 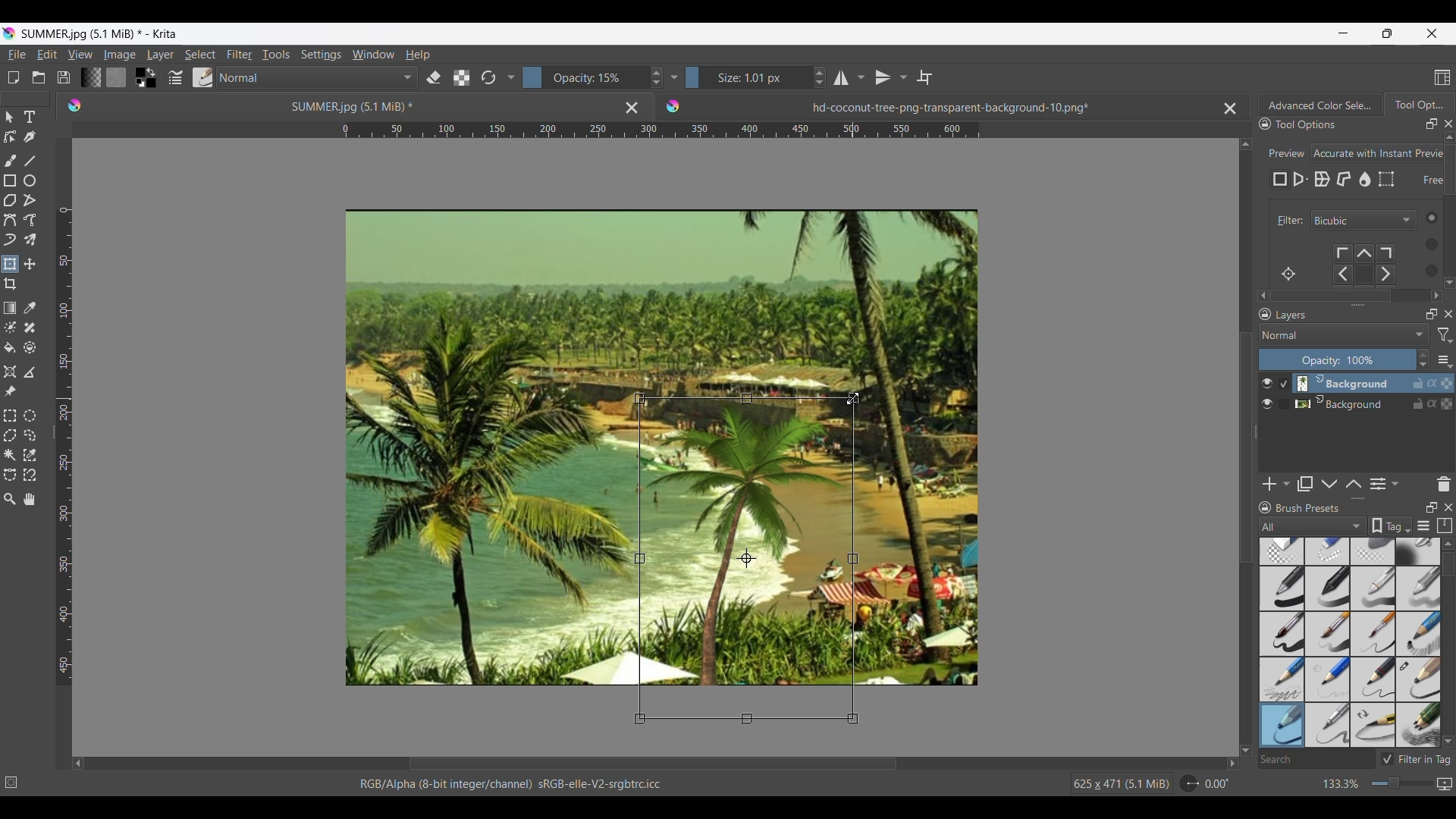 I want to click on Layers, so click(x=1347, y=315).